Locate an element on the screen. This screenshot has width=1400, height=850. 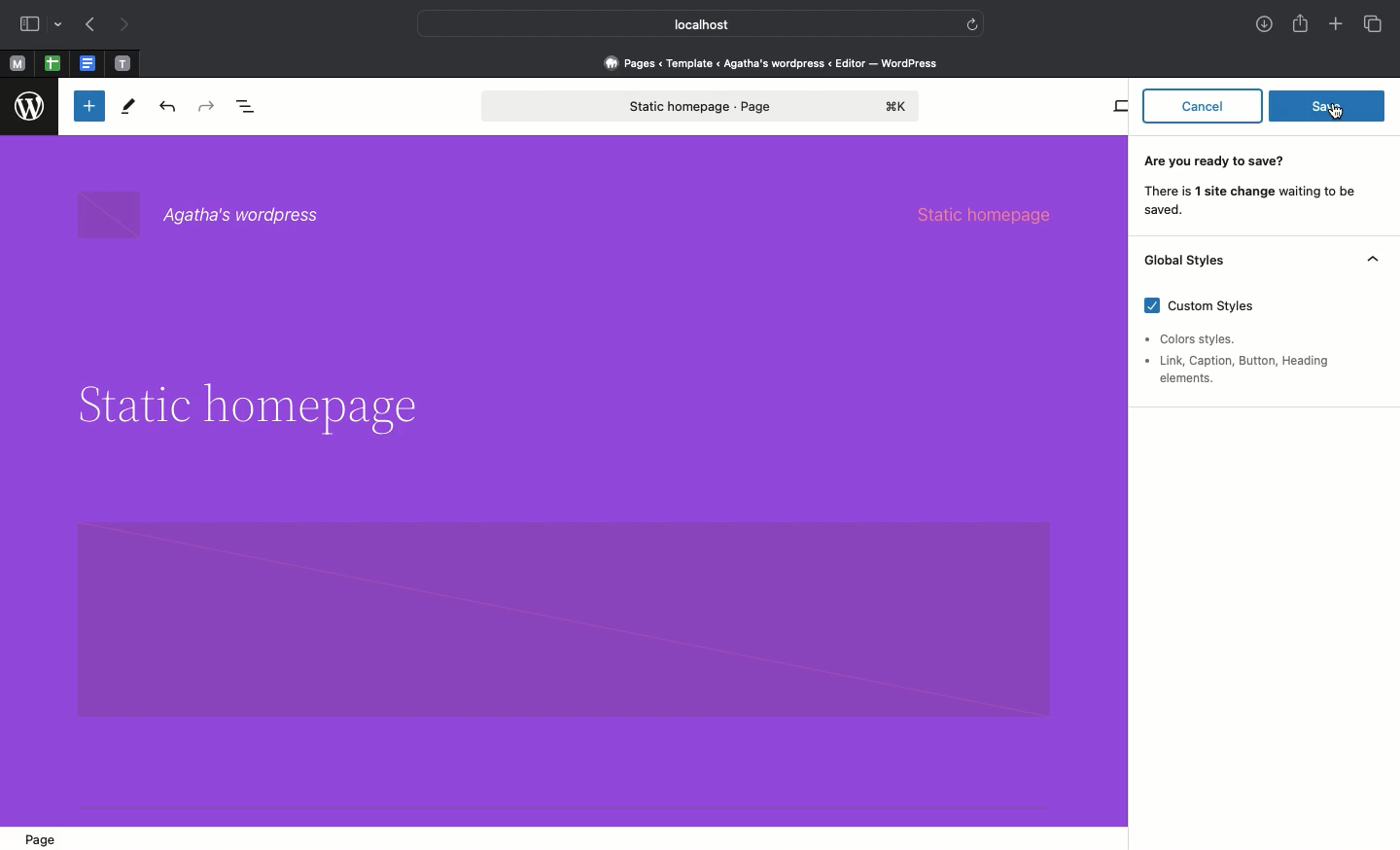
Tools is located at coordinates (129, 111).